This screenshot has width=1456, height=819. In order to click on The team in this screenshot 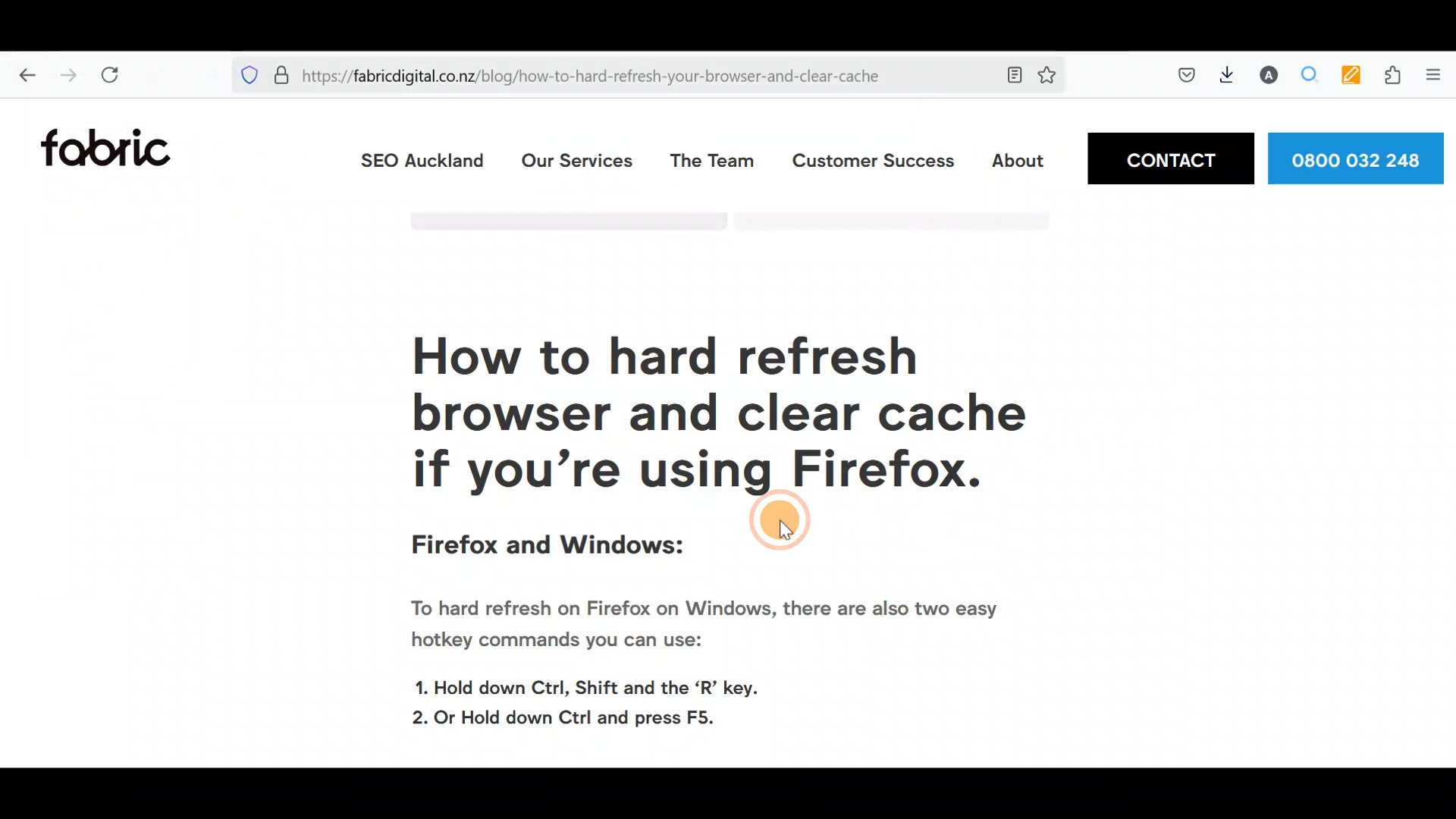, I will do `click(711, 160)`.